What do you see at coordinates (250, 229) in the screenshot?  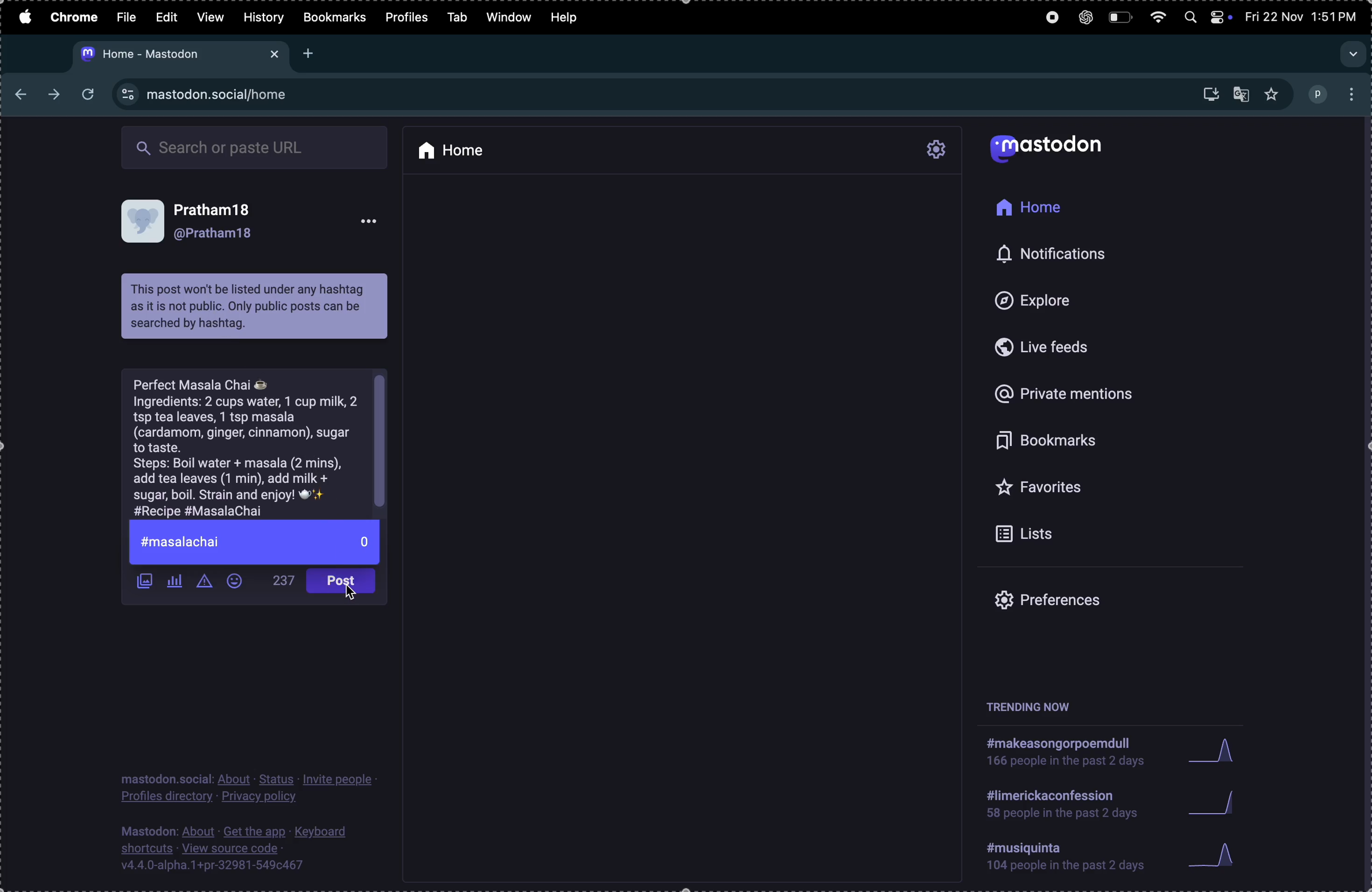 I see `user profile` at bounding box center [250, 229].